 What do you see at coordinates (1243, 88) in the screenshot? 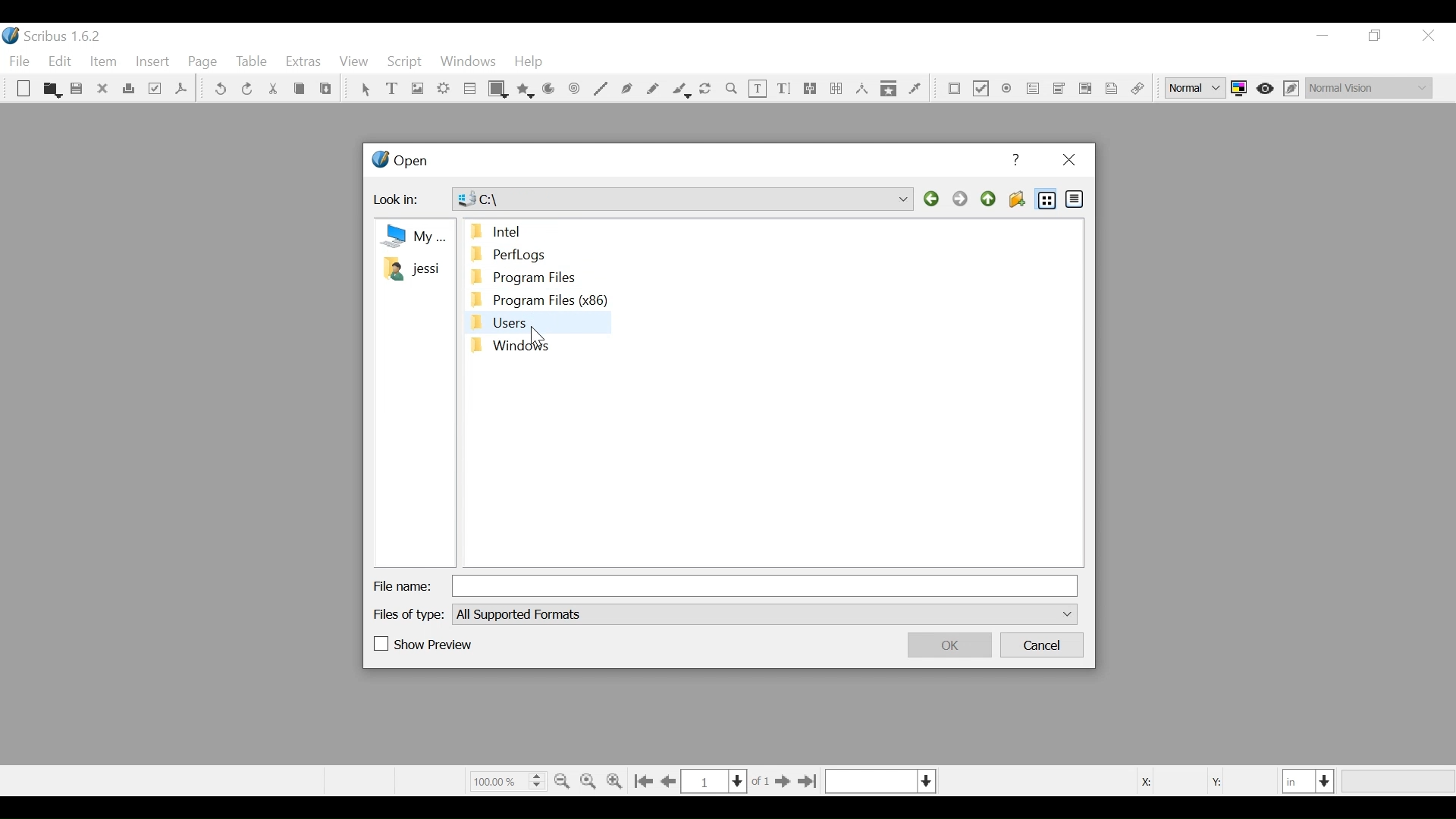
I see `Toggle color` at bounding box center [1243, 88].